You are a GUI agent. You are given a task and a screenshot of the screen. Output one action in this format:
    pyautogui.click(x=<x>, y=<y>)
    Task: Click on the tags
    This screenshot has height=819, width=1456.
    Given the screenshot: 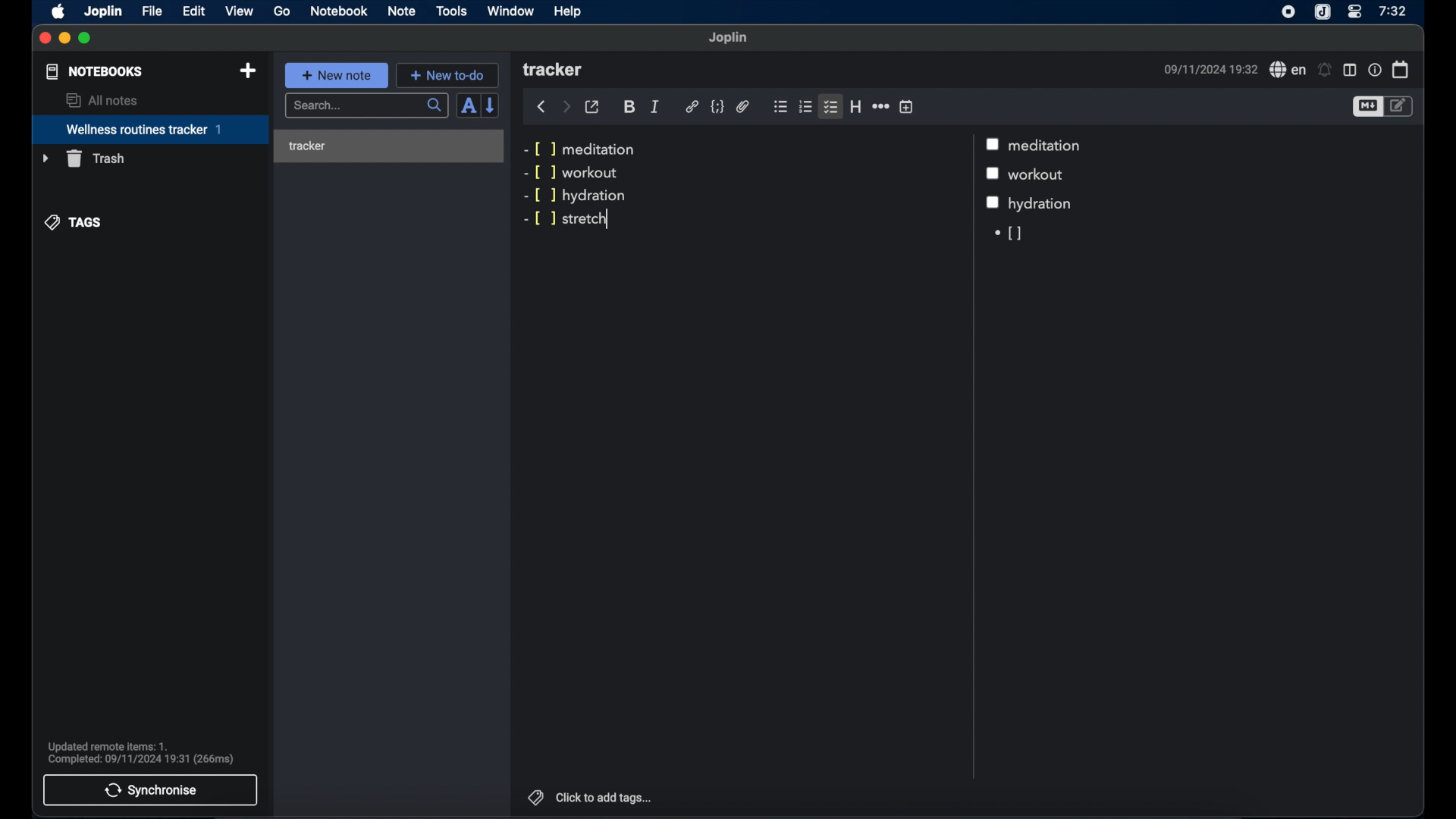 What is the action you would take?
    pyautogui.click(x=74, y=223)
    